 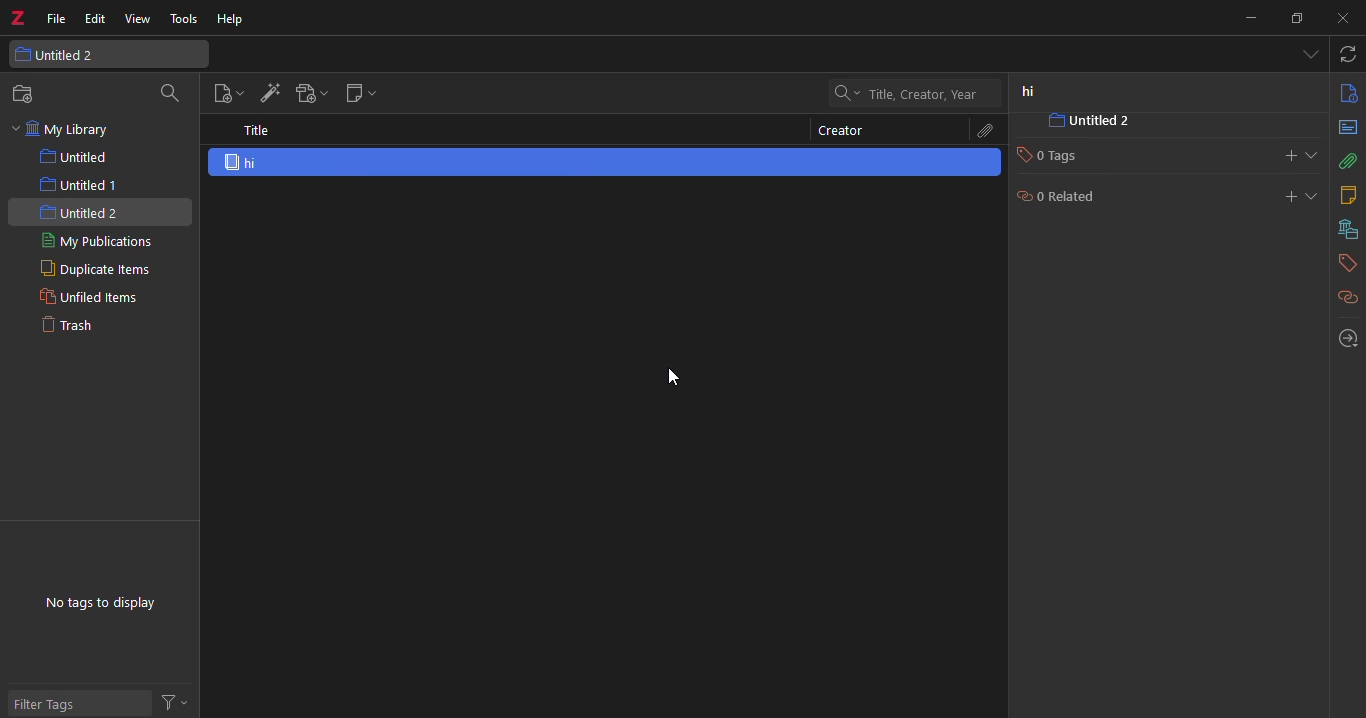 I want to click on actions, so click(x=179, y=701).